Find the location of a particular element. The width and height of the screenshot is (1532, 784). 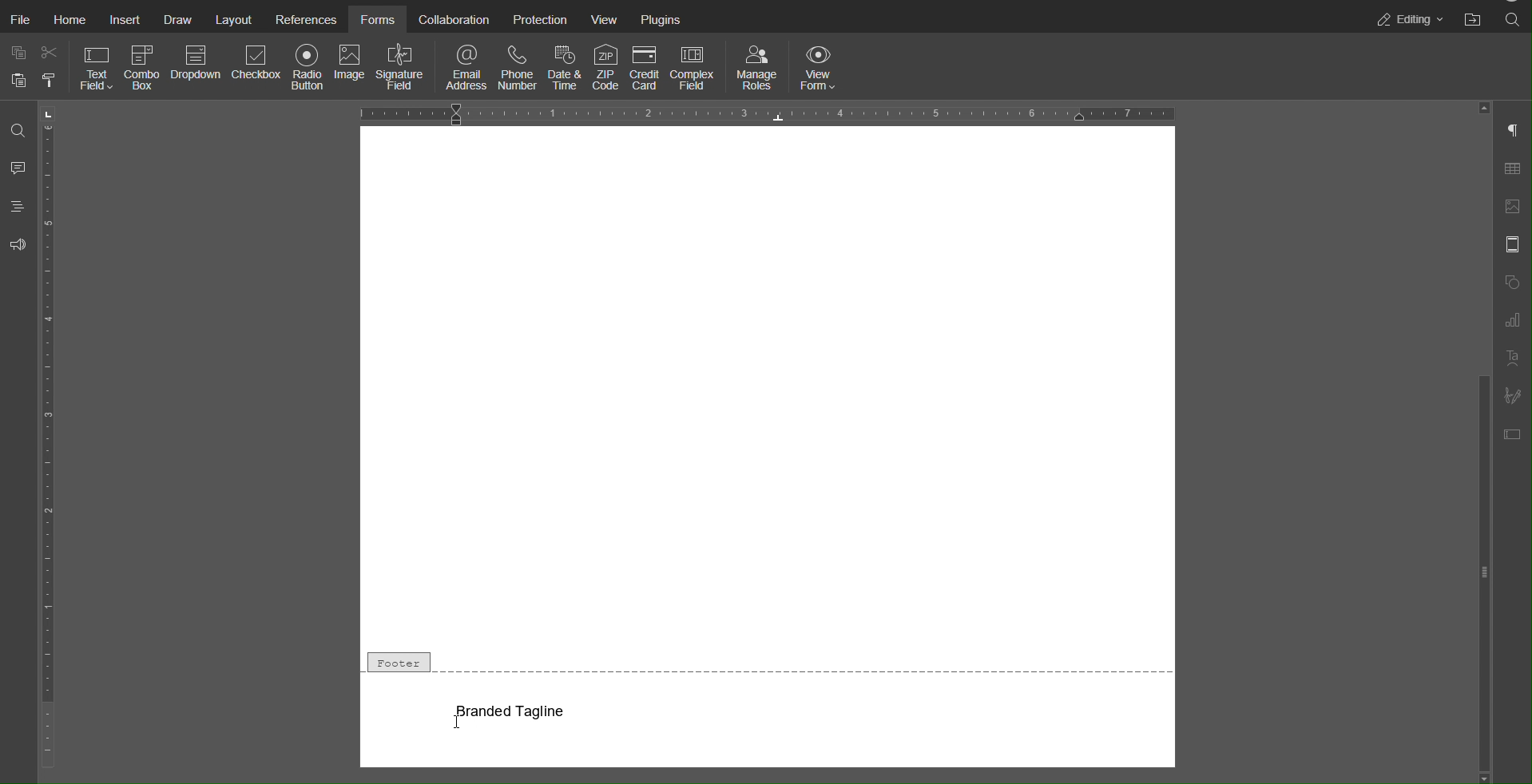

Protection is located at coordinates (538, 18).